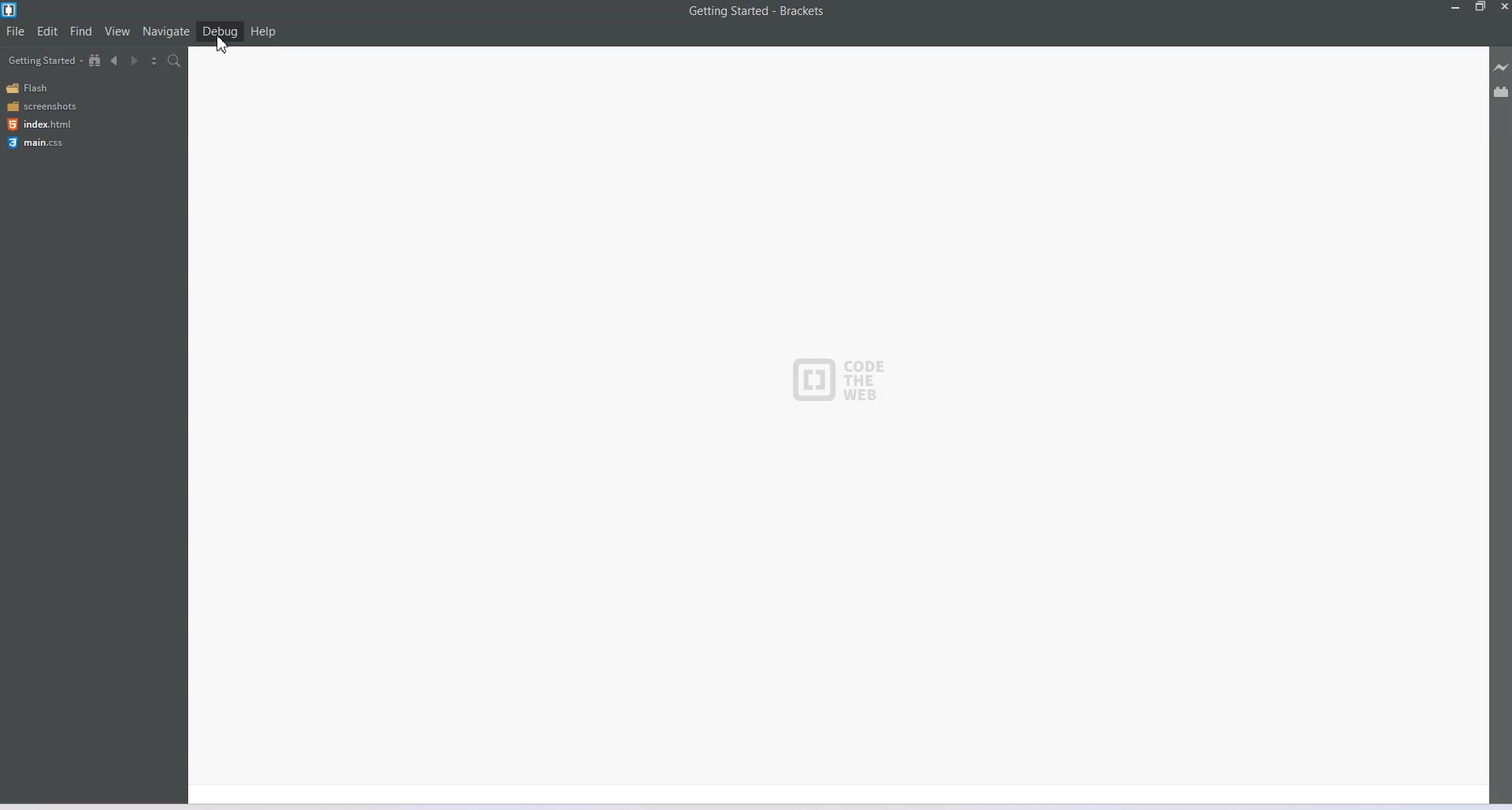 The image size is (1512, 810). I want to click on View, so click(118, 31).